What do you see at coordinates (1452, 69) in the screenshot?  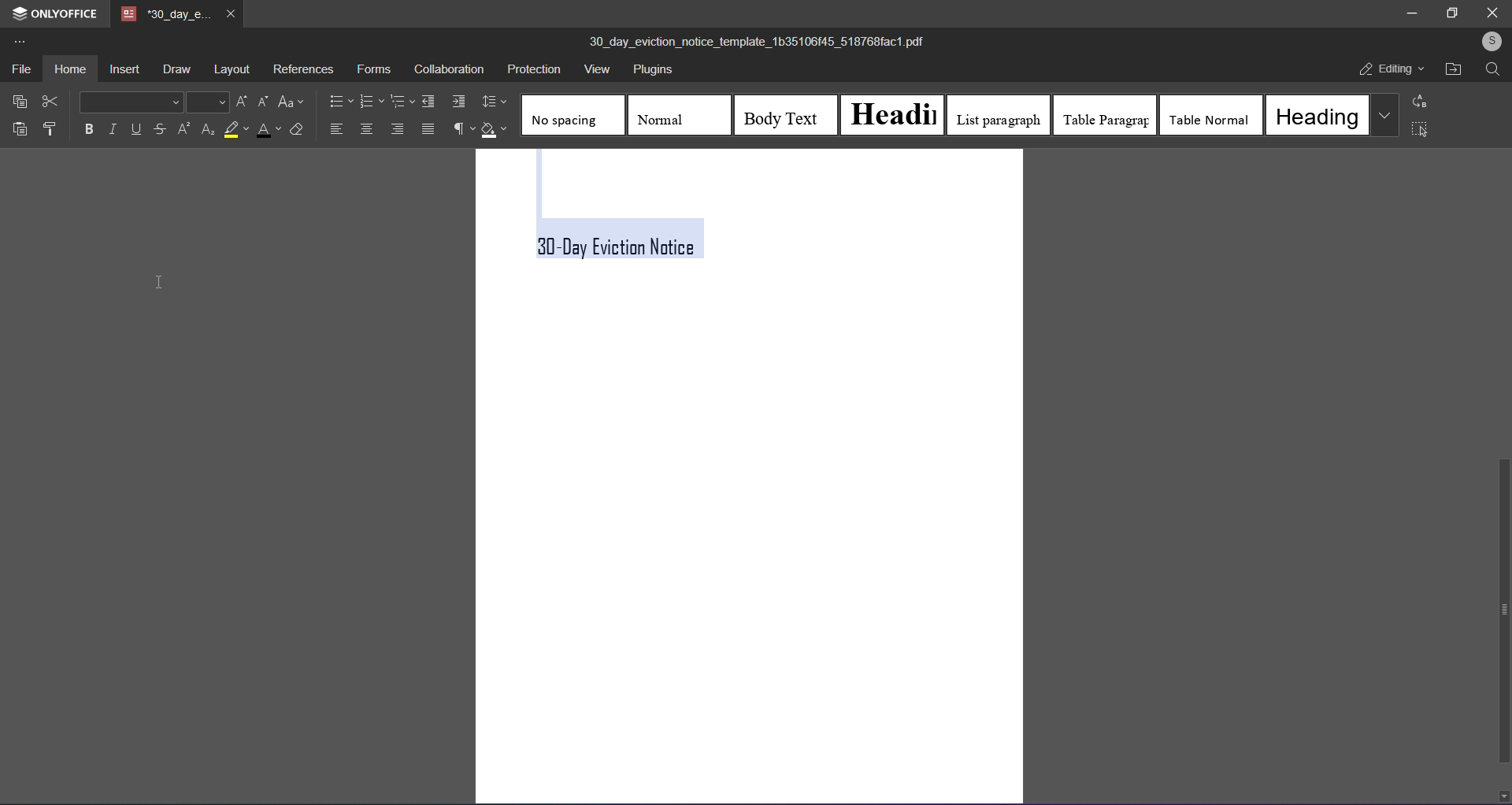 I see `open file location` at bounding box center [1452, 69].